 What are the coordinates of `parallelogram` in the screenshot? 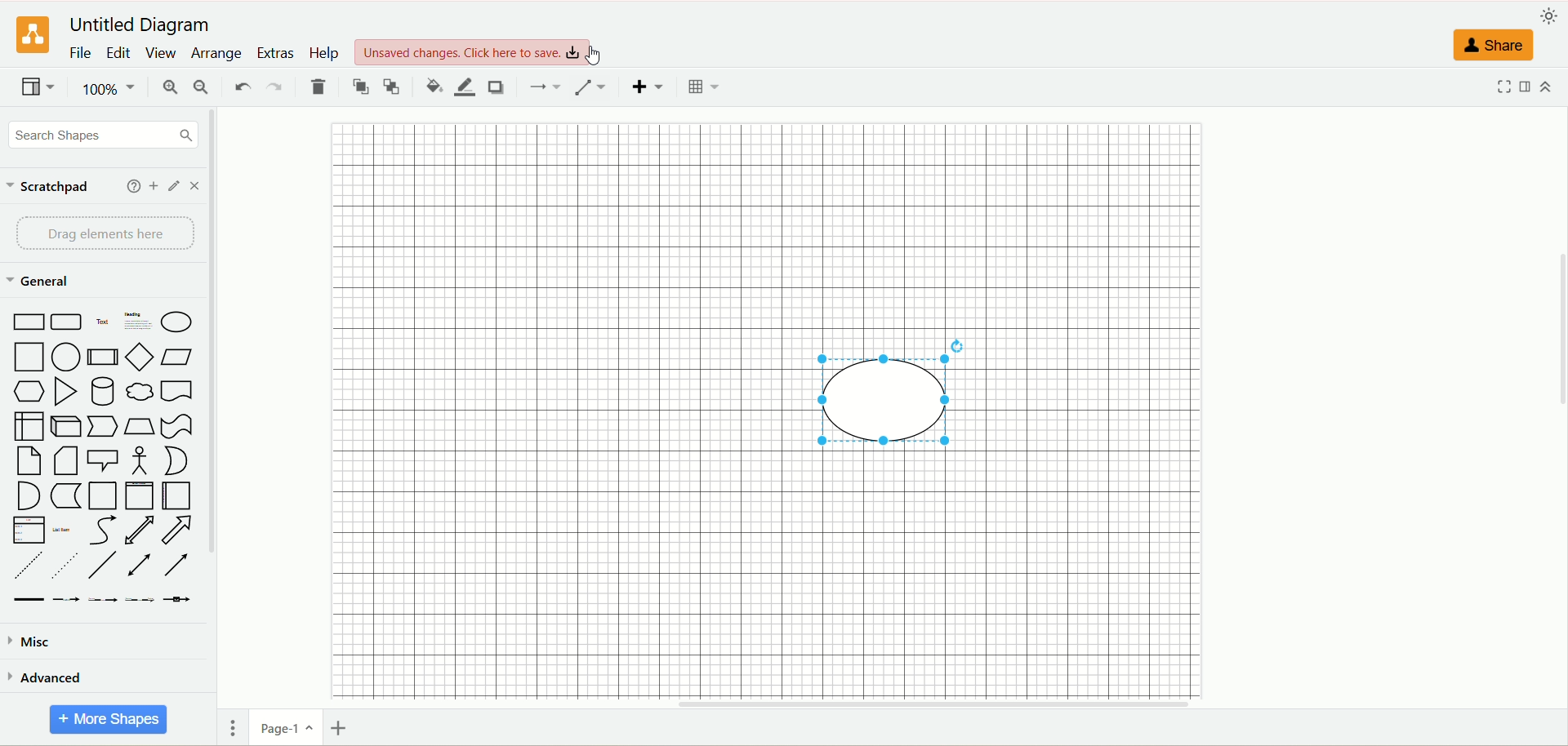 It's located at (180, 357).